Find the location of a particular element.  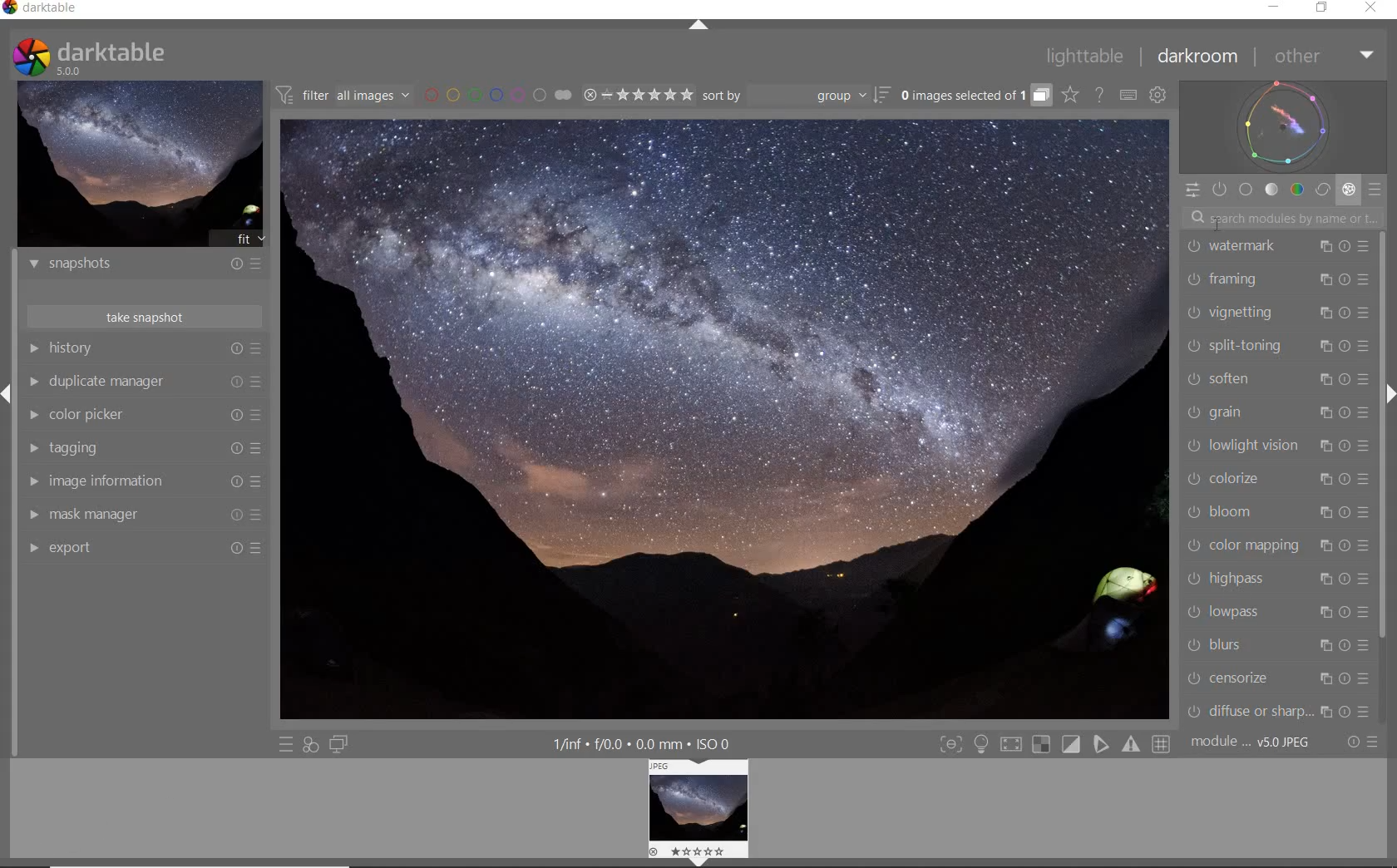

hide bottom menu (shift+ctrl+b) is located at coordinates (704, 862).